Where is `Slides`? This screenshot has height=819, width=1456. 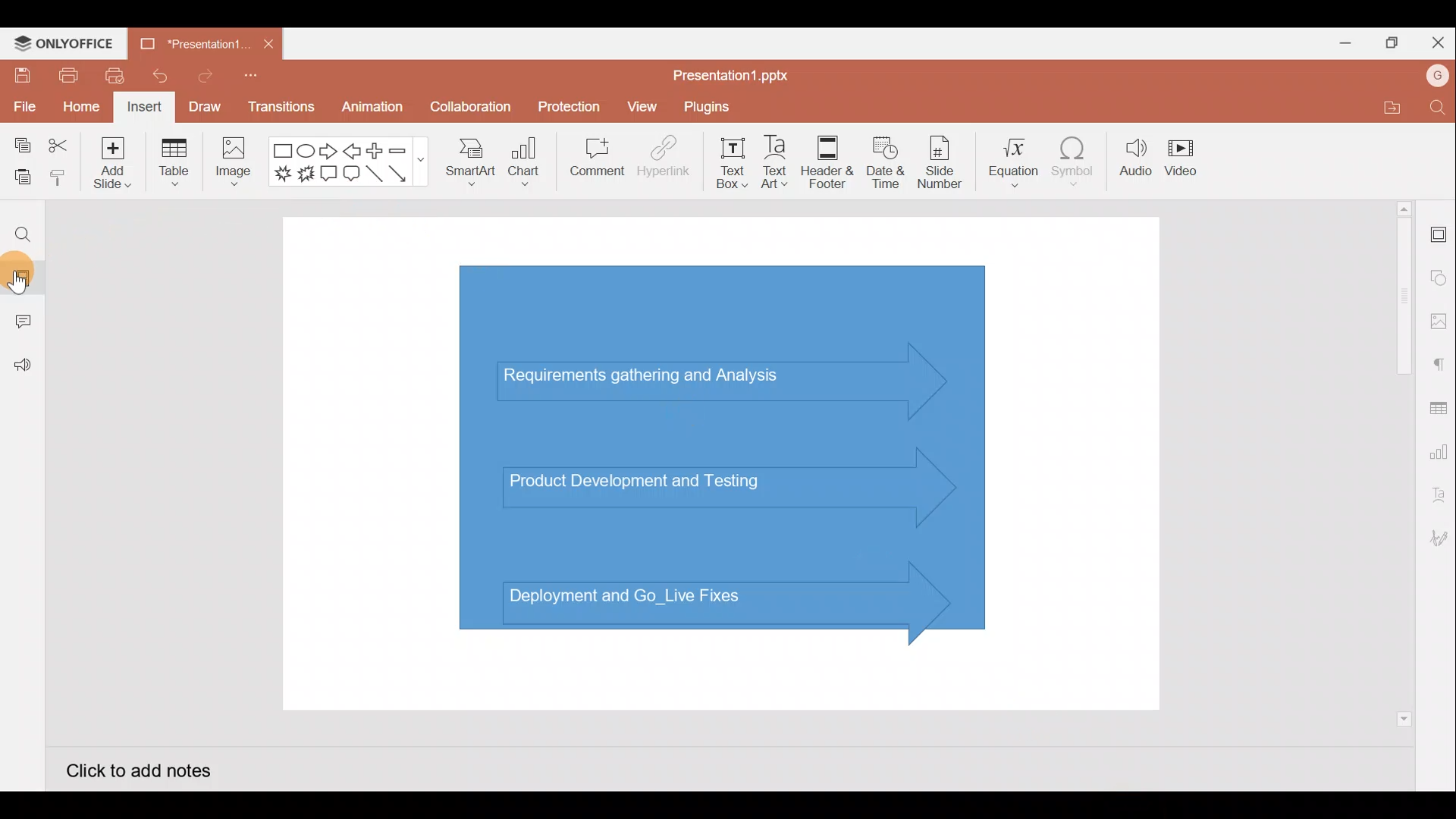
Slides is located at coordinates (27, 275).